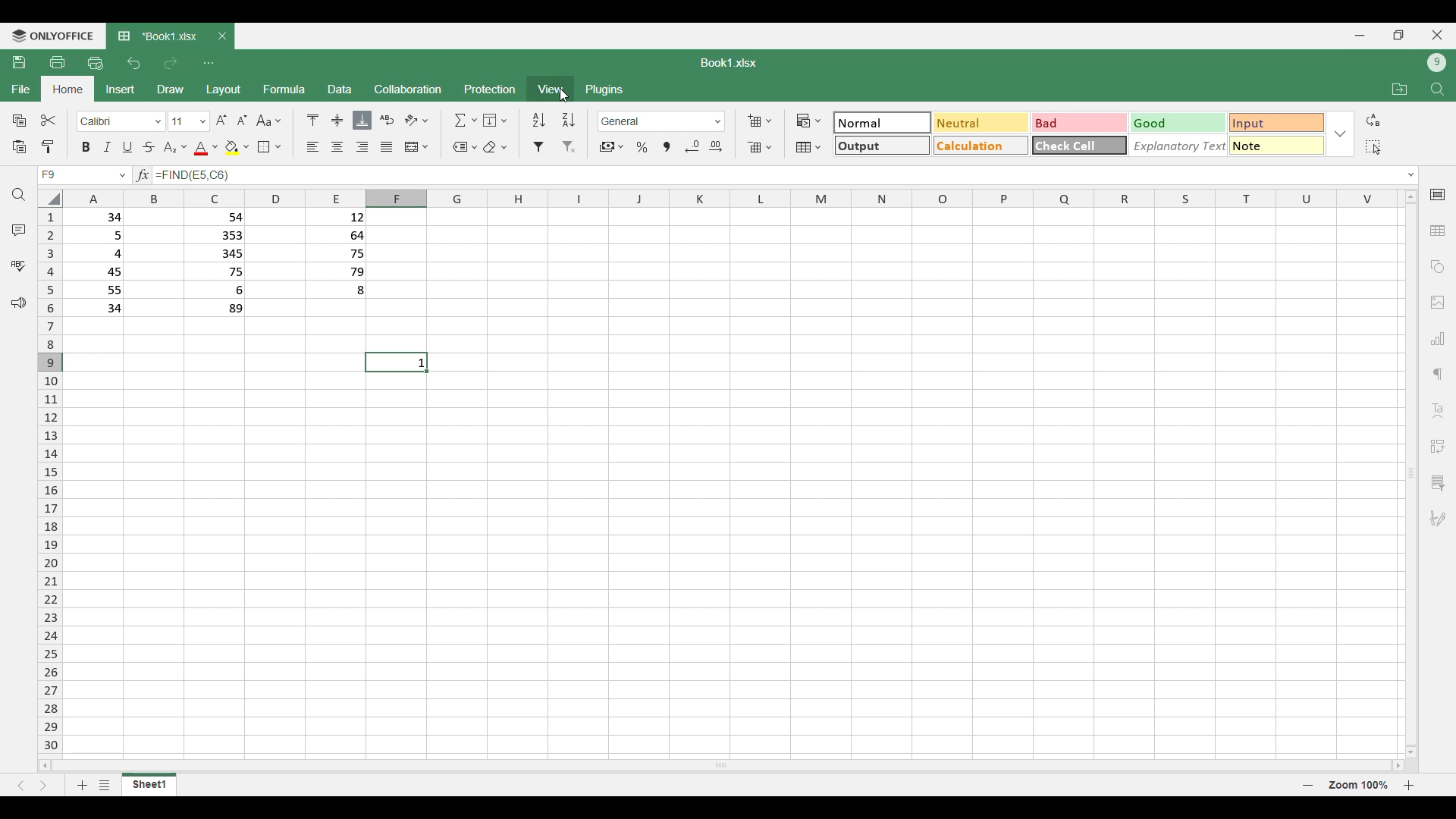  I want to click on Normal cell, so click(880, 123).